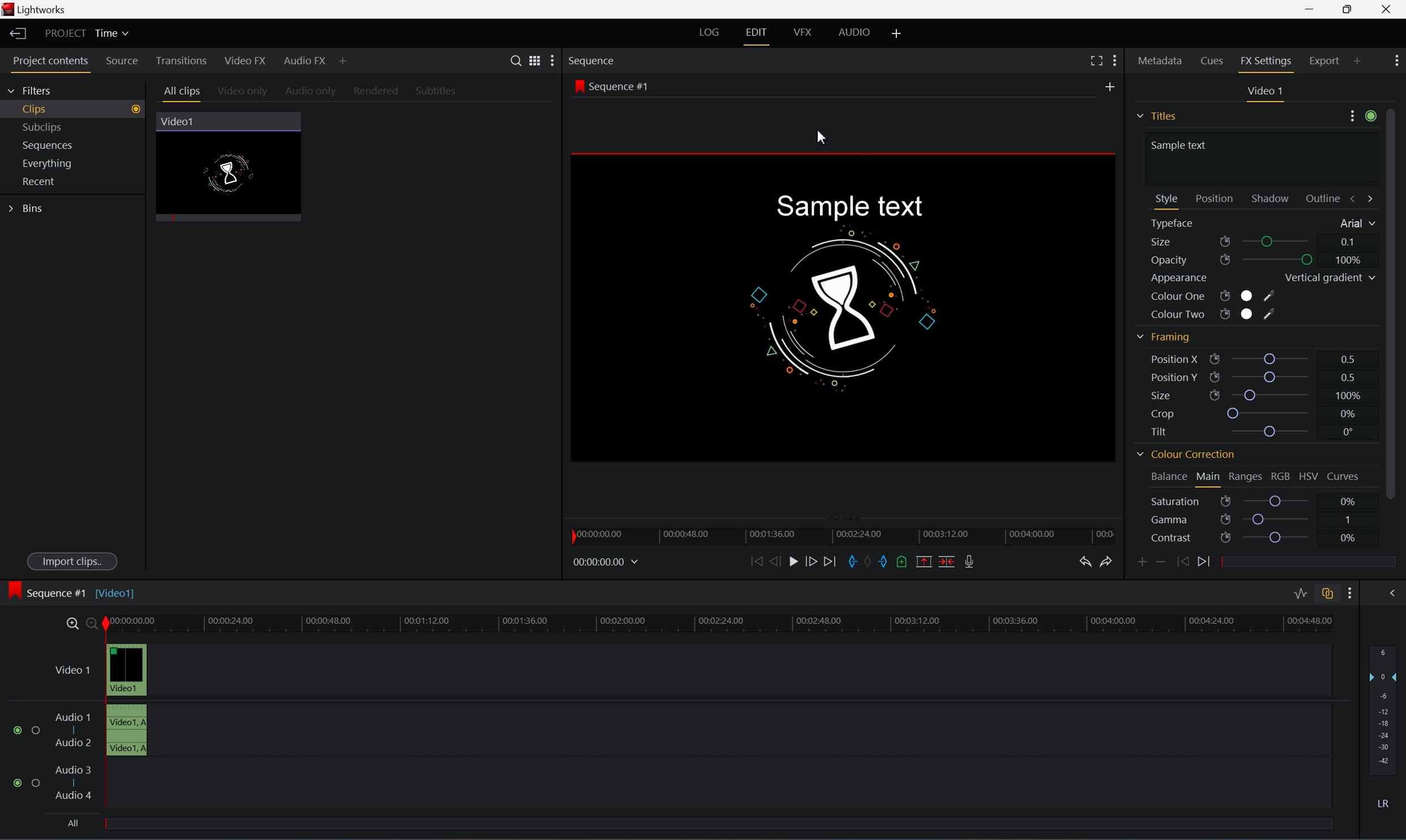  Describe the element at coordinates (1182, 144) in the screenshot. I see `sample text` at that location.